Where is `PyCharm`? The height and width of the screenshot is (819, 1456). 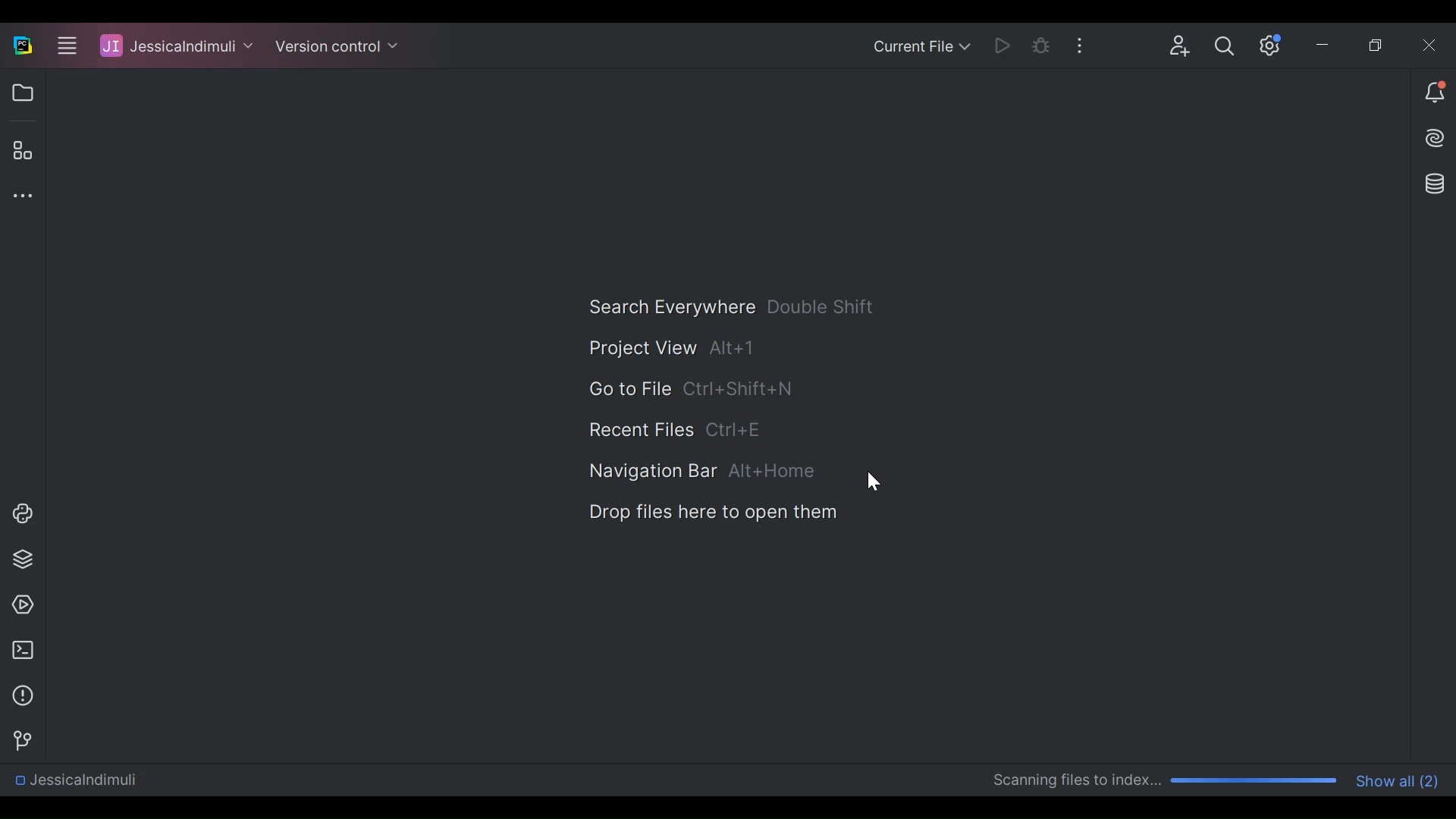
PyCharm is located at coordinates (22, 45).